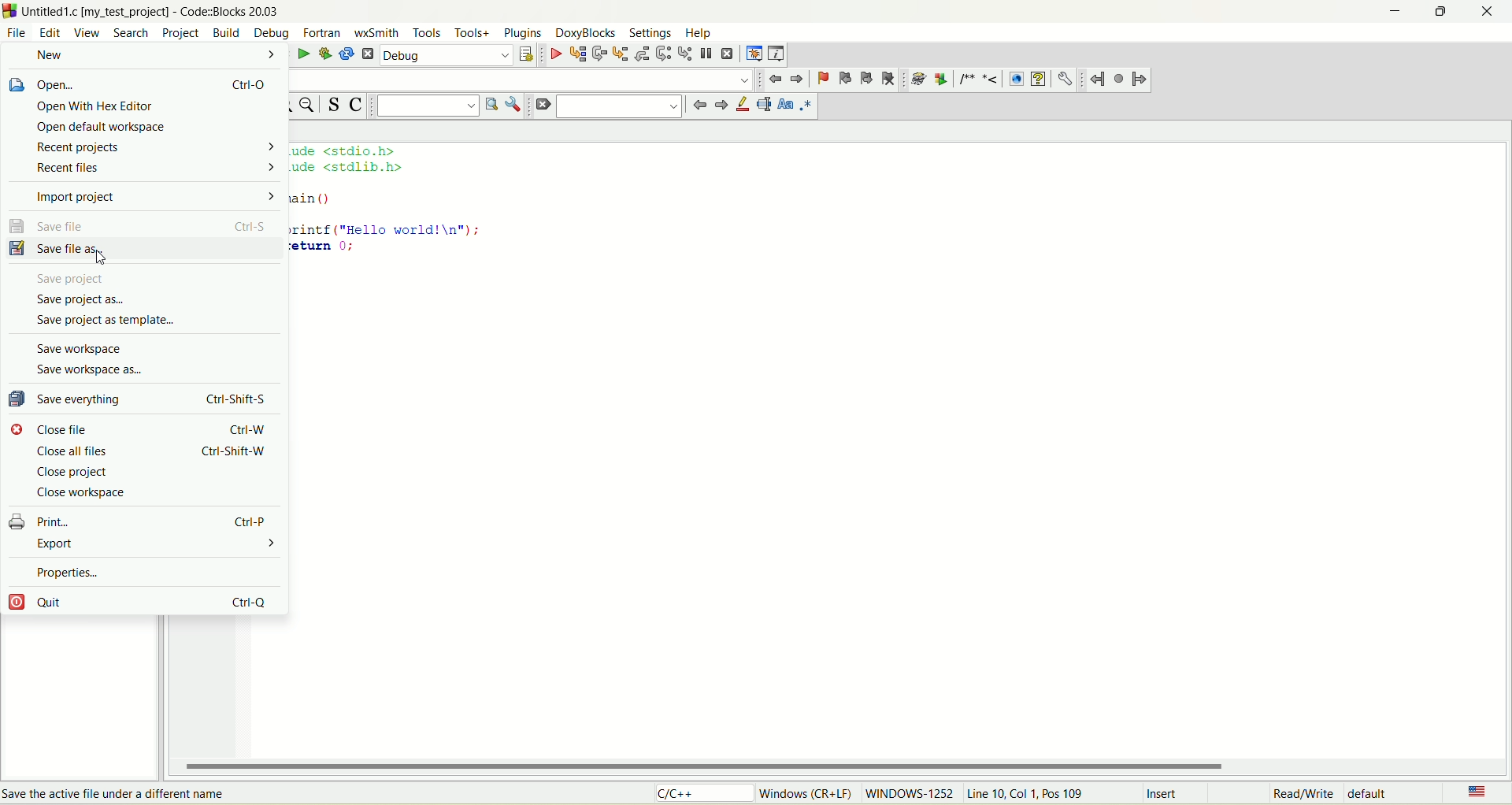 The image size is (1512, 805). I want to click on debug, so click(447, 56).